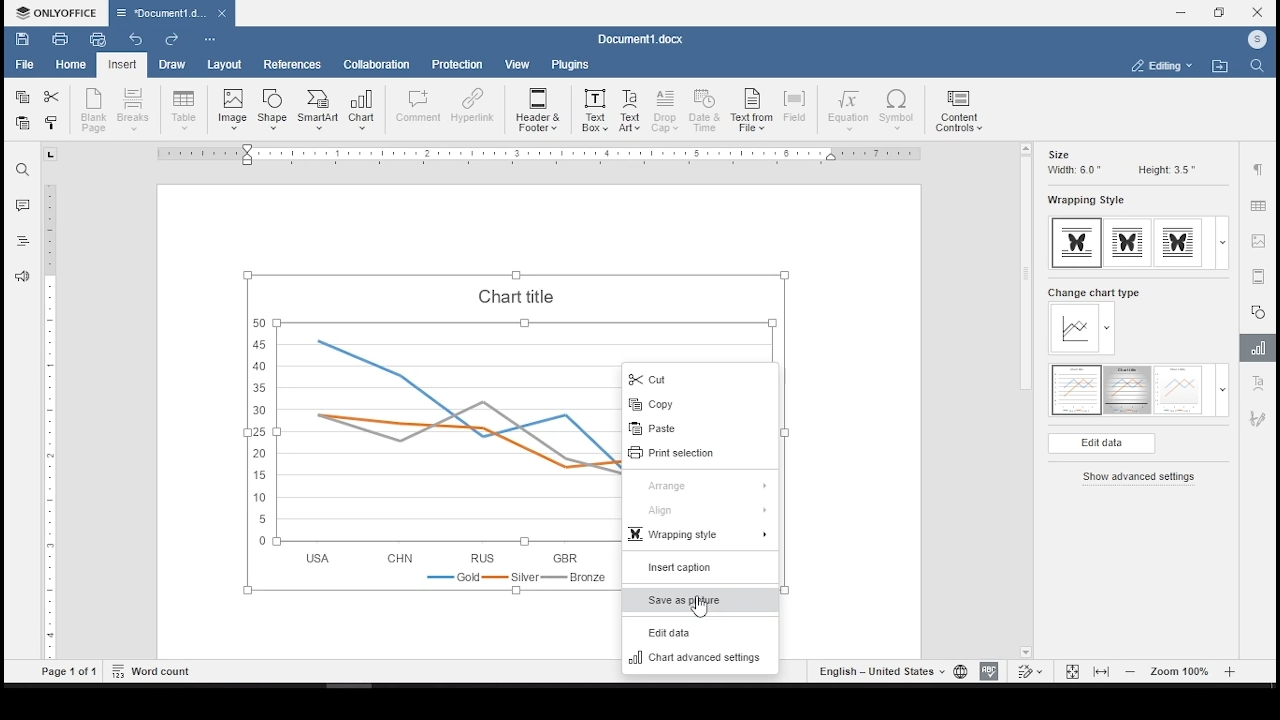 The image size is (1280, 720). Describe the element at coordinates (1258, 276) in the screenshot. I see `audio or video settings` at that location.